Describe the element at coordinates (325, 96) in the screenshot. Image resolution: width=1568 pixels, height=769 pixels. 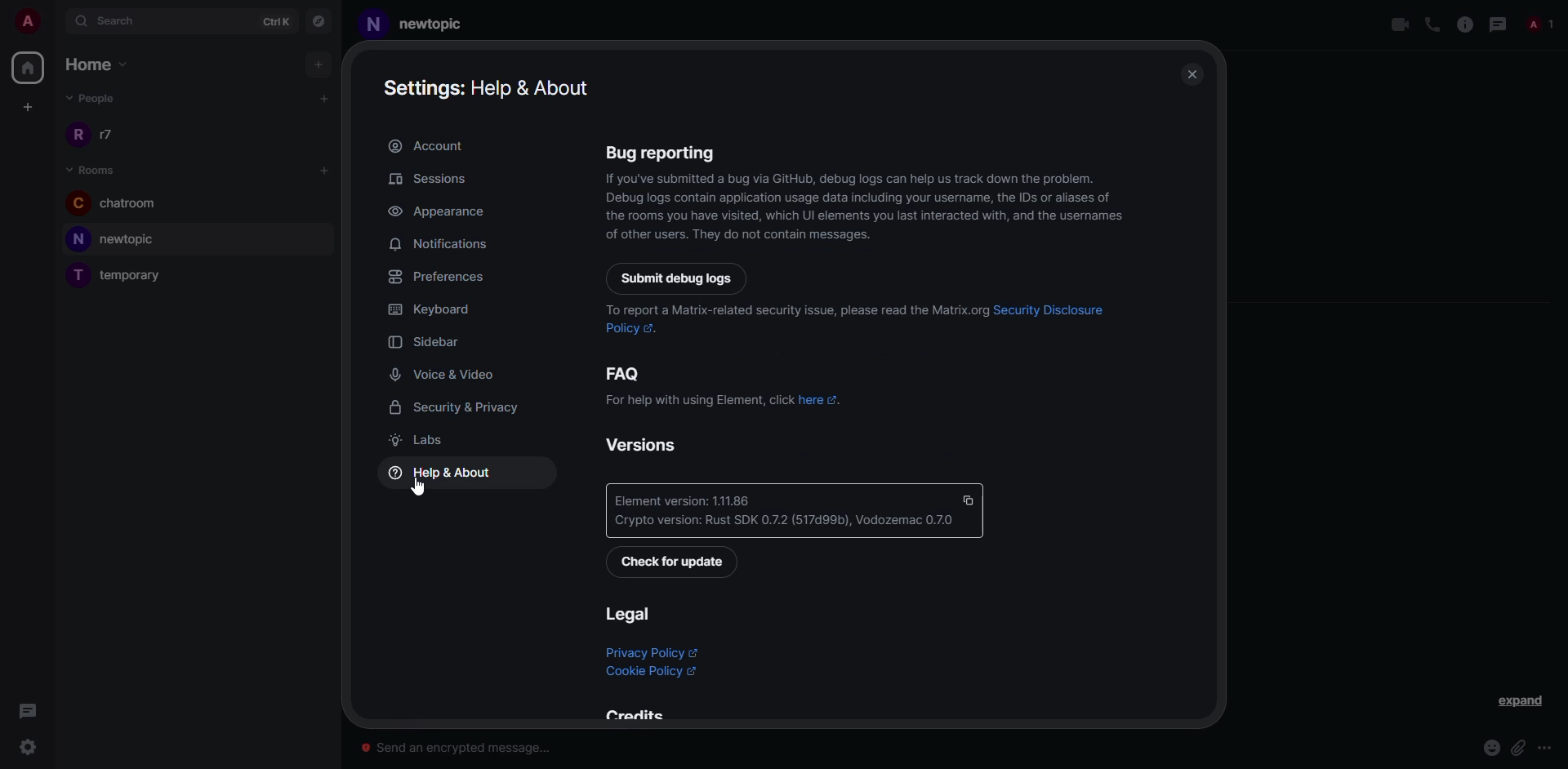
I see `add` at that location.